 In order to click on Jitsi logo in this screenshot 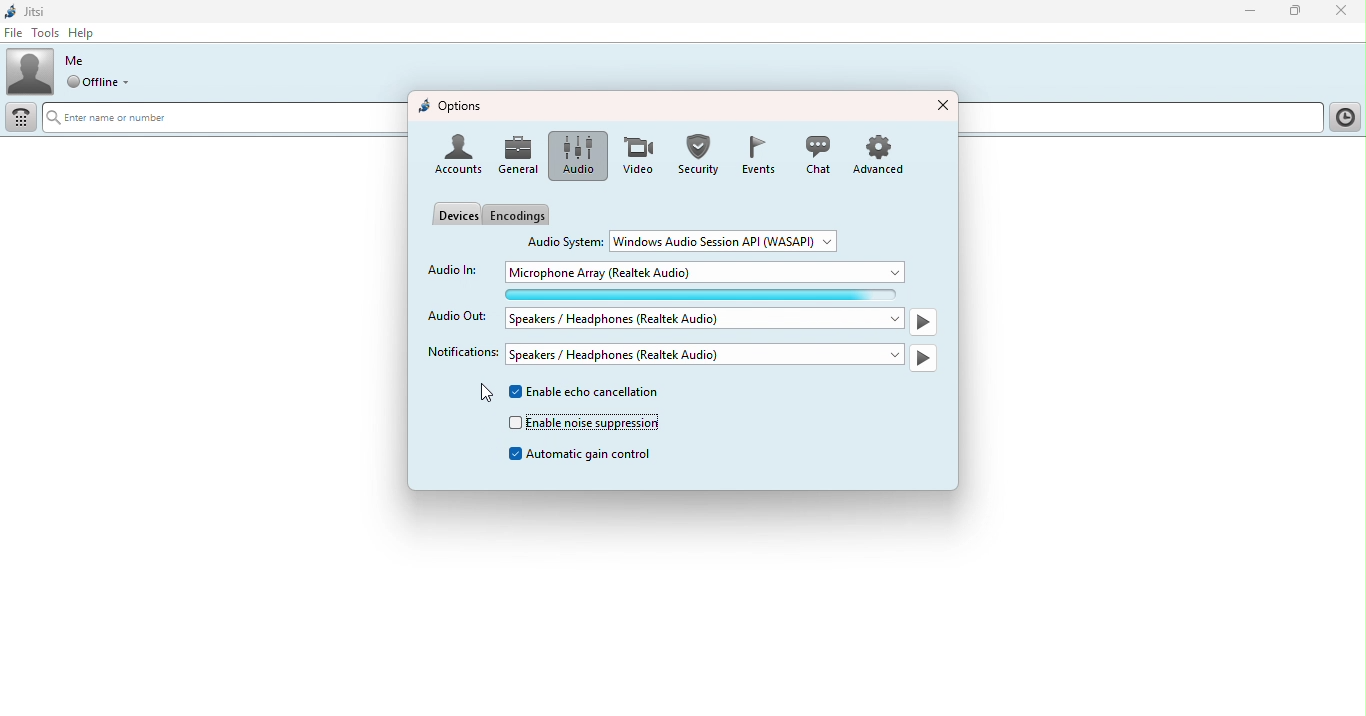, I will do `click(29, 11)`.